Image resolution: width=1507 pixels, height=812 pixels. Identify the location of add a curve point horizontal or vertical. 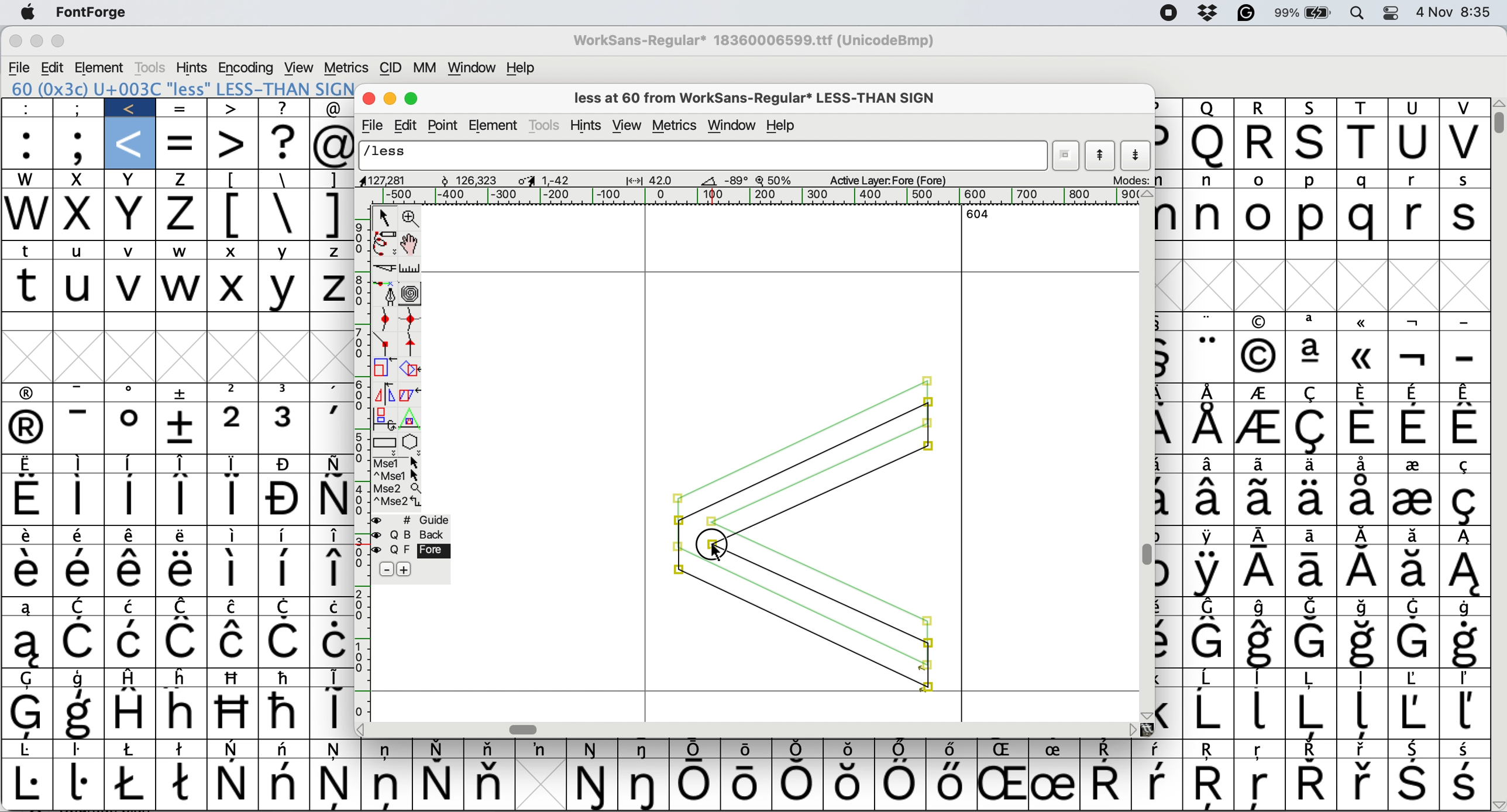
(412, 317).